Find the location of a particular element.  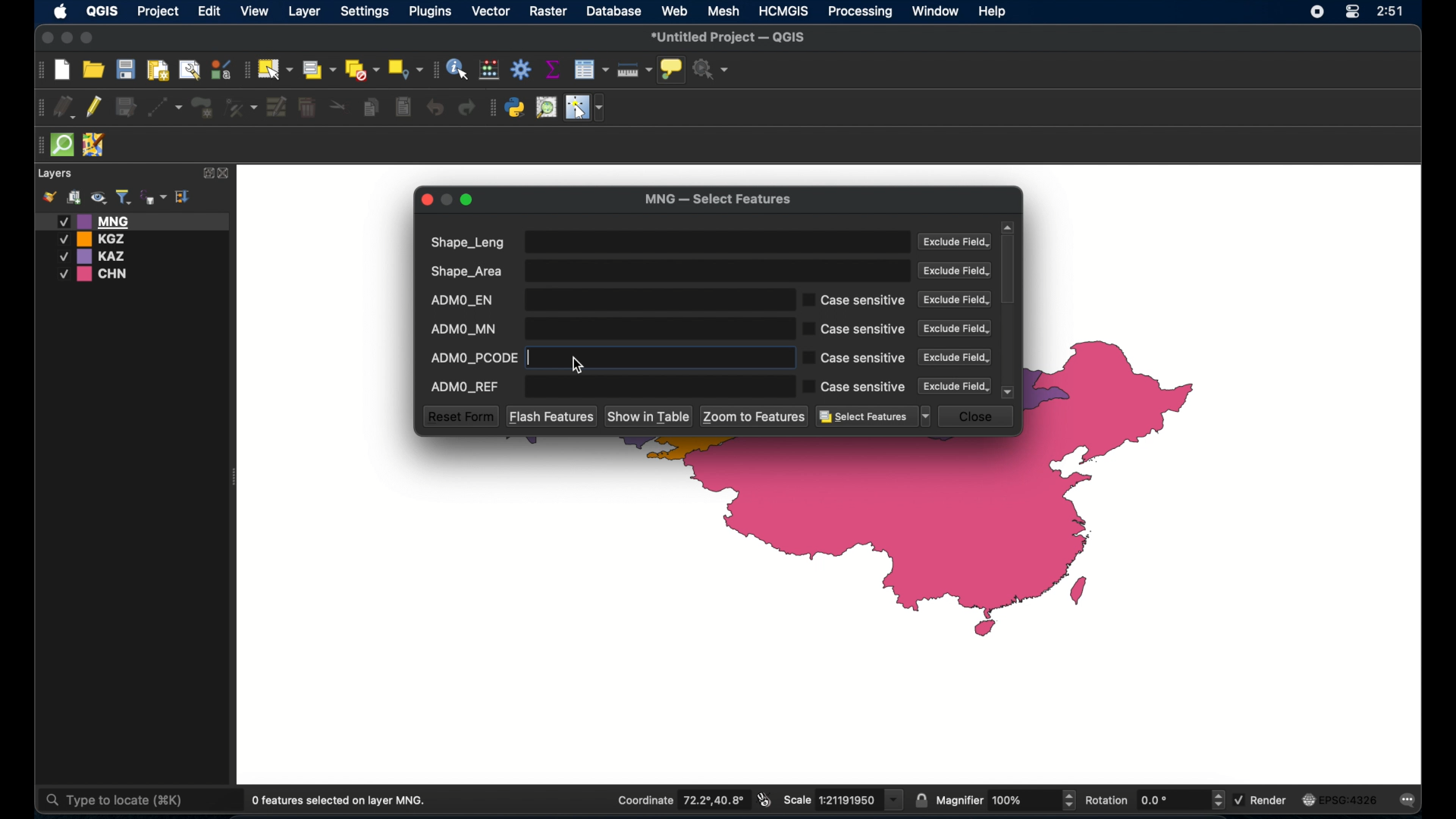

text cursor is located at coordinates (537, 358).